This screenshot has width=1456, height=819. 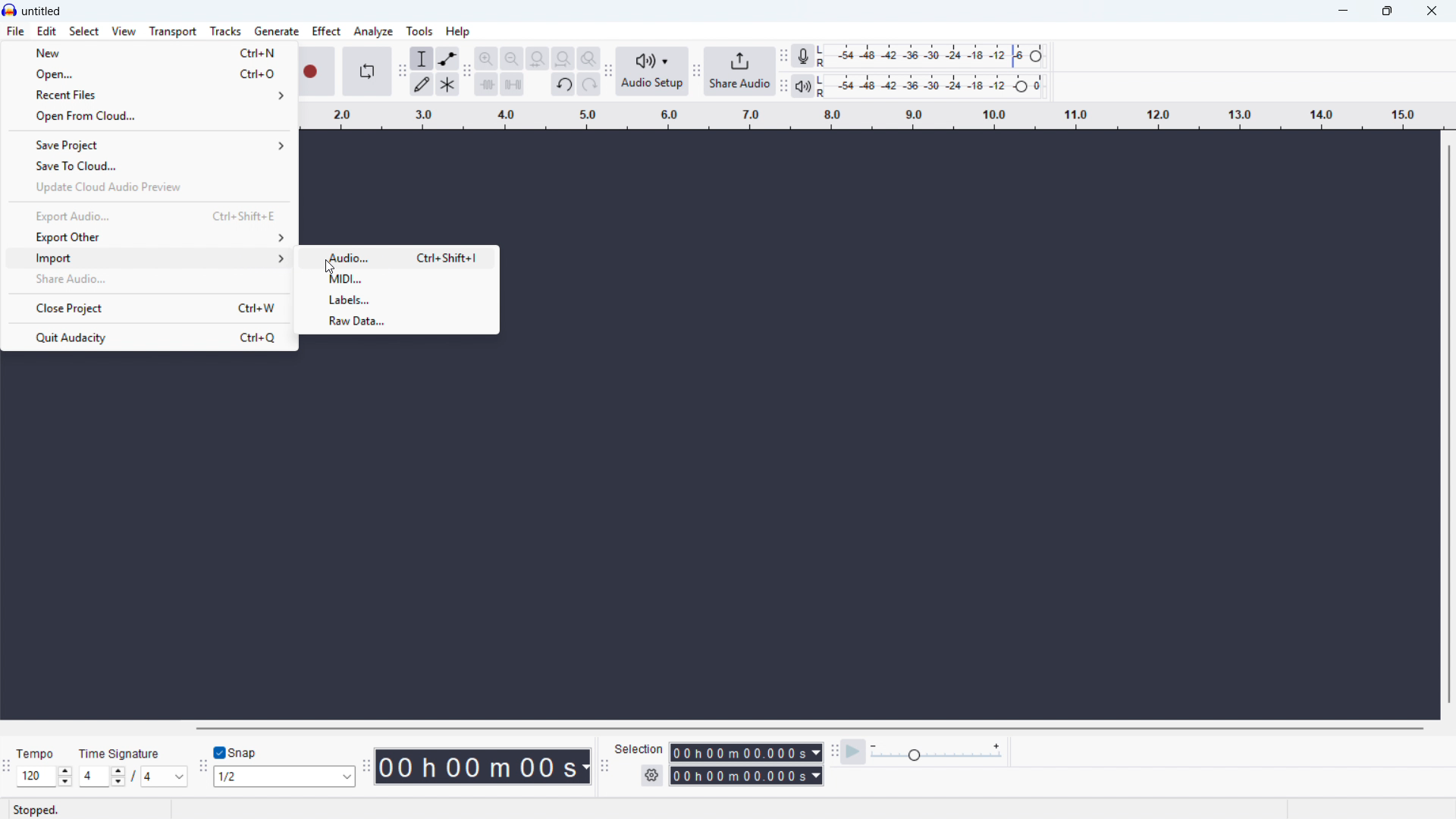 I want to click on Time signature, so click(x=121, y=752).